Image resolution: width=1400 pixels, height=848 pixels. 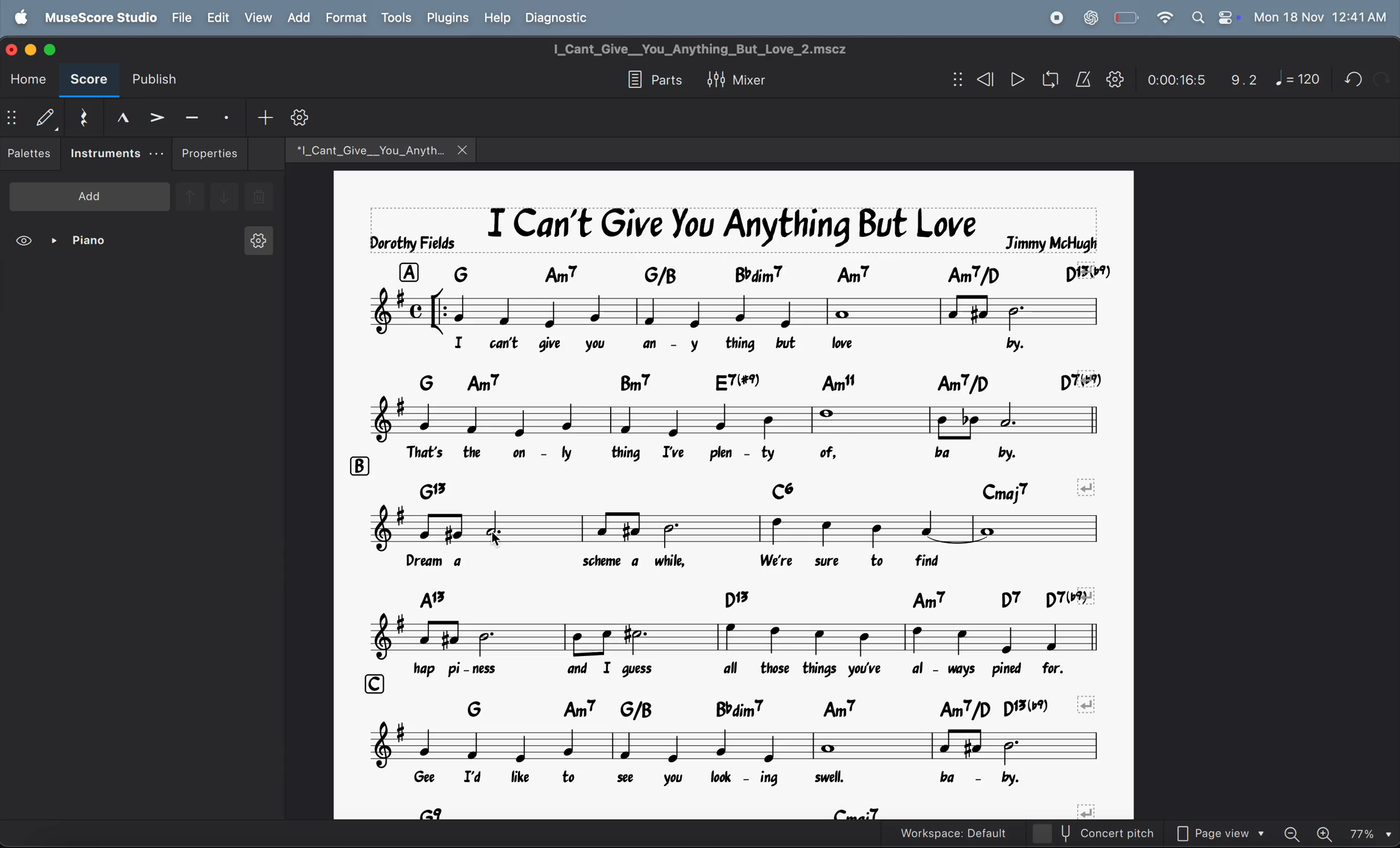 What do you see at coordinates (16, 117) in the screenshot?
I see `show/hide bar` at bounding box center [16, 117].